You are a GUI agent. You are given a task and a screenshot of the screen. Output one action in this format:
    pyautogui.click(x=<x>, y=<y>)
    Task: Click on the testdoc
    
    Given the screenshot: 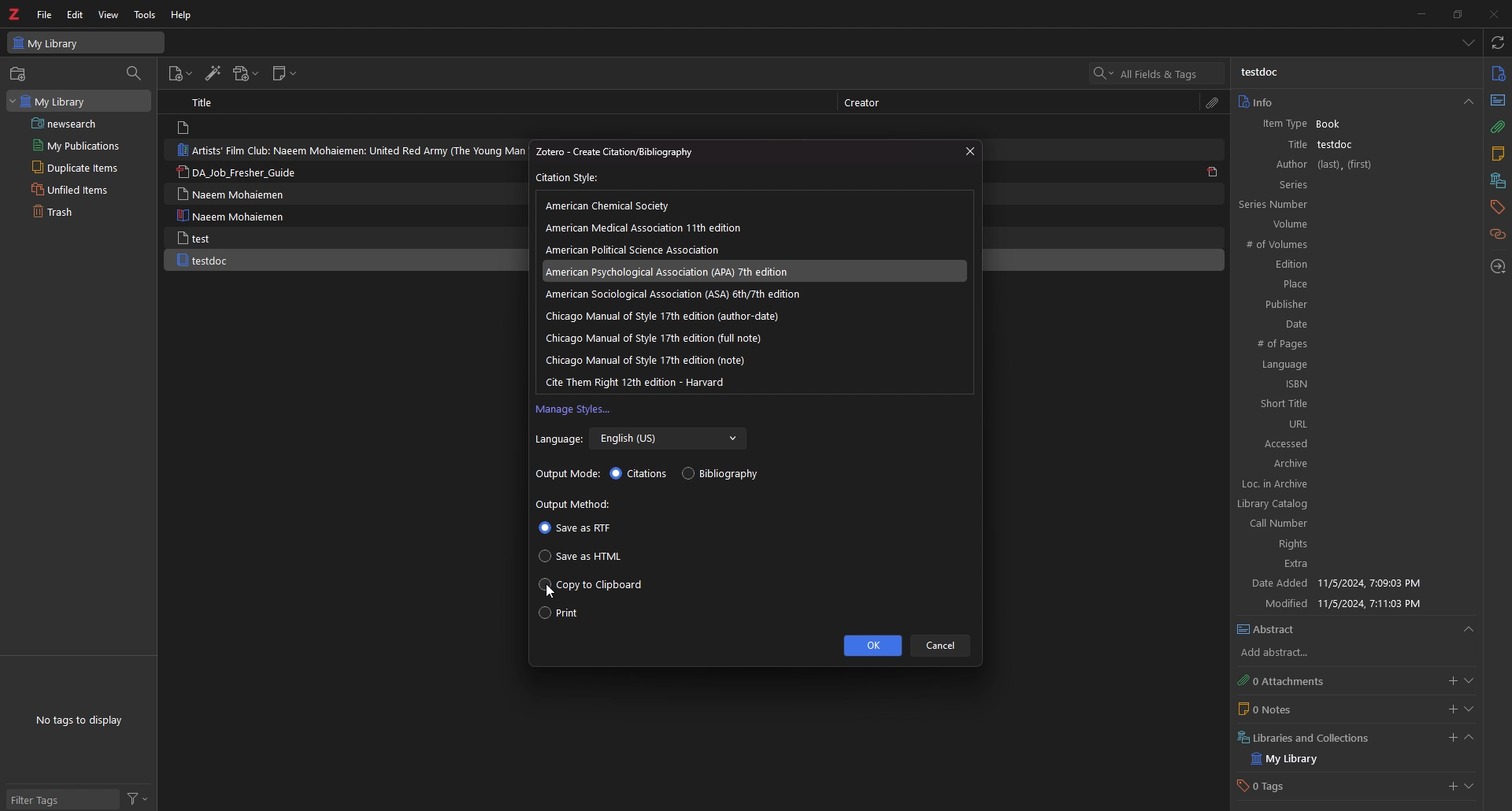 What is the action you would take?
    pyautogui.click(x=205, y=261)
    